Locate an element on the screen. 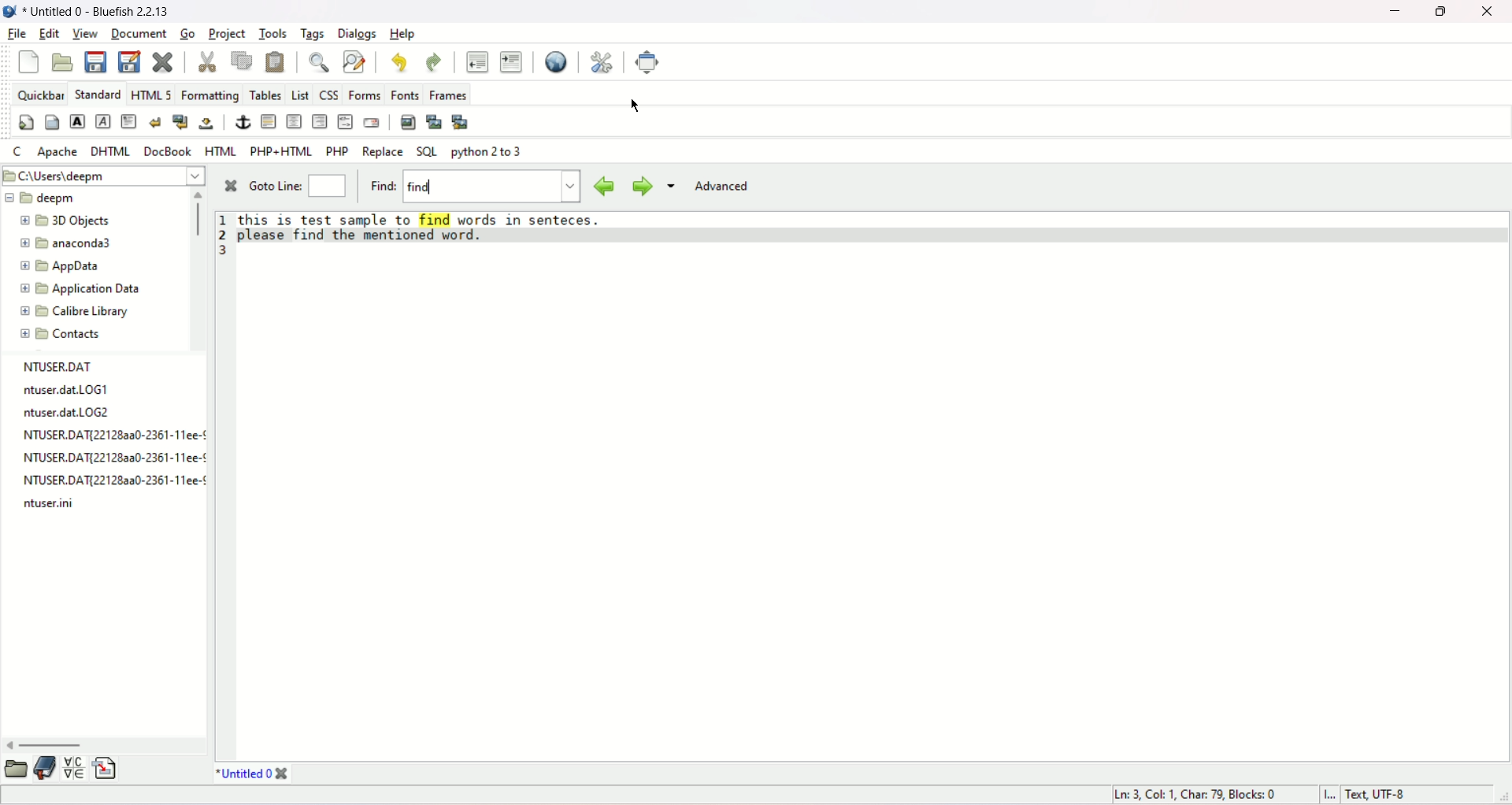 Image resolution: width=1512 pixels, height=805 pixels. edit is located at coordinates (50, 33).